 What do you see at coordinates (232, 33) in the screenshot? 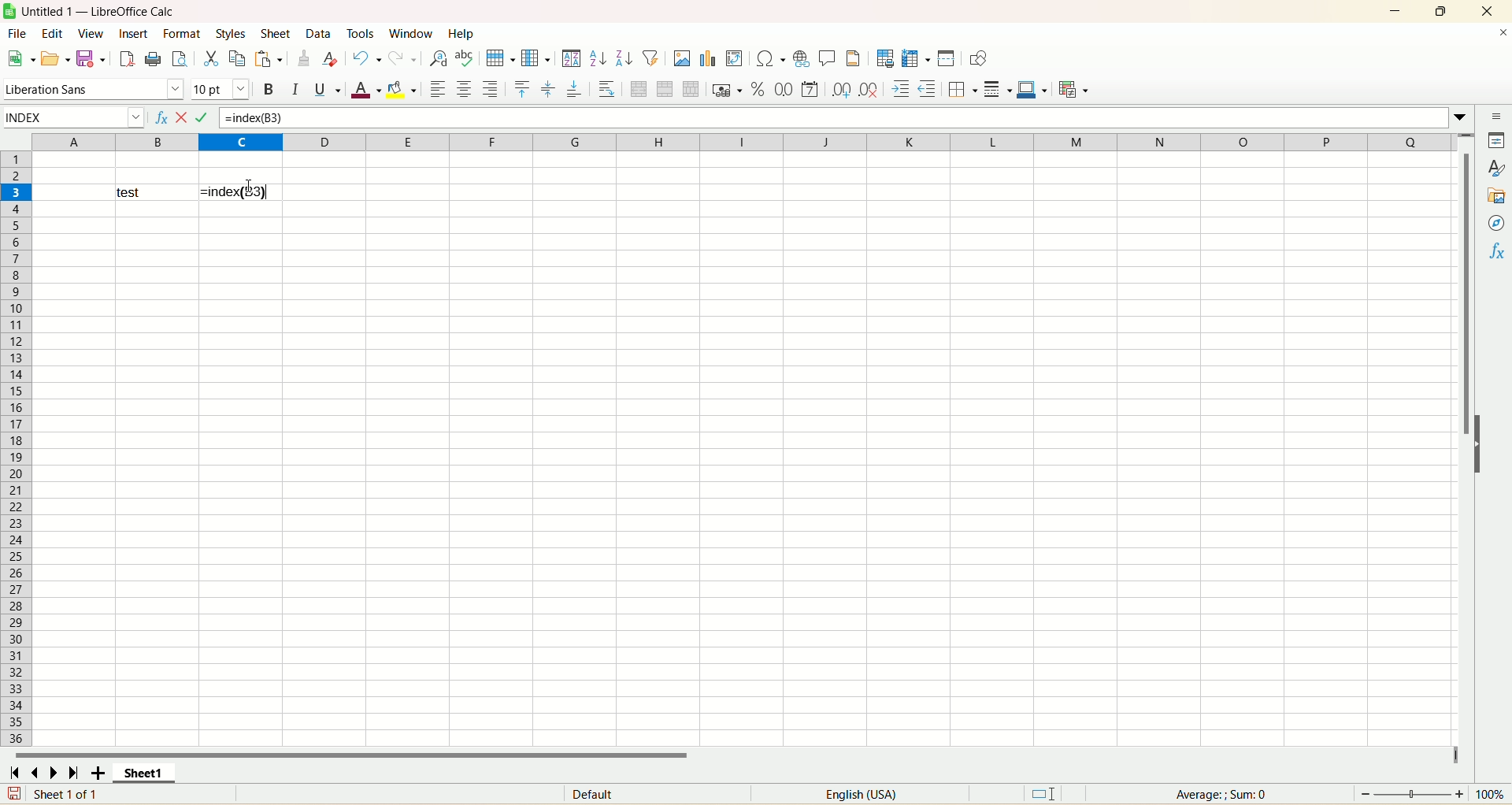
I see `styles` at bounding box center [232, 33].